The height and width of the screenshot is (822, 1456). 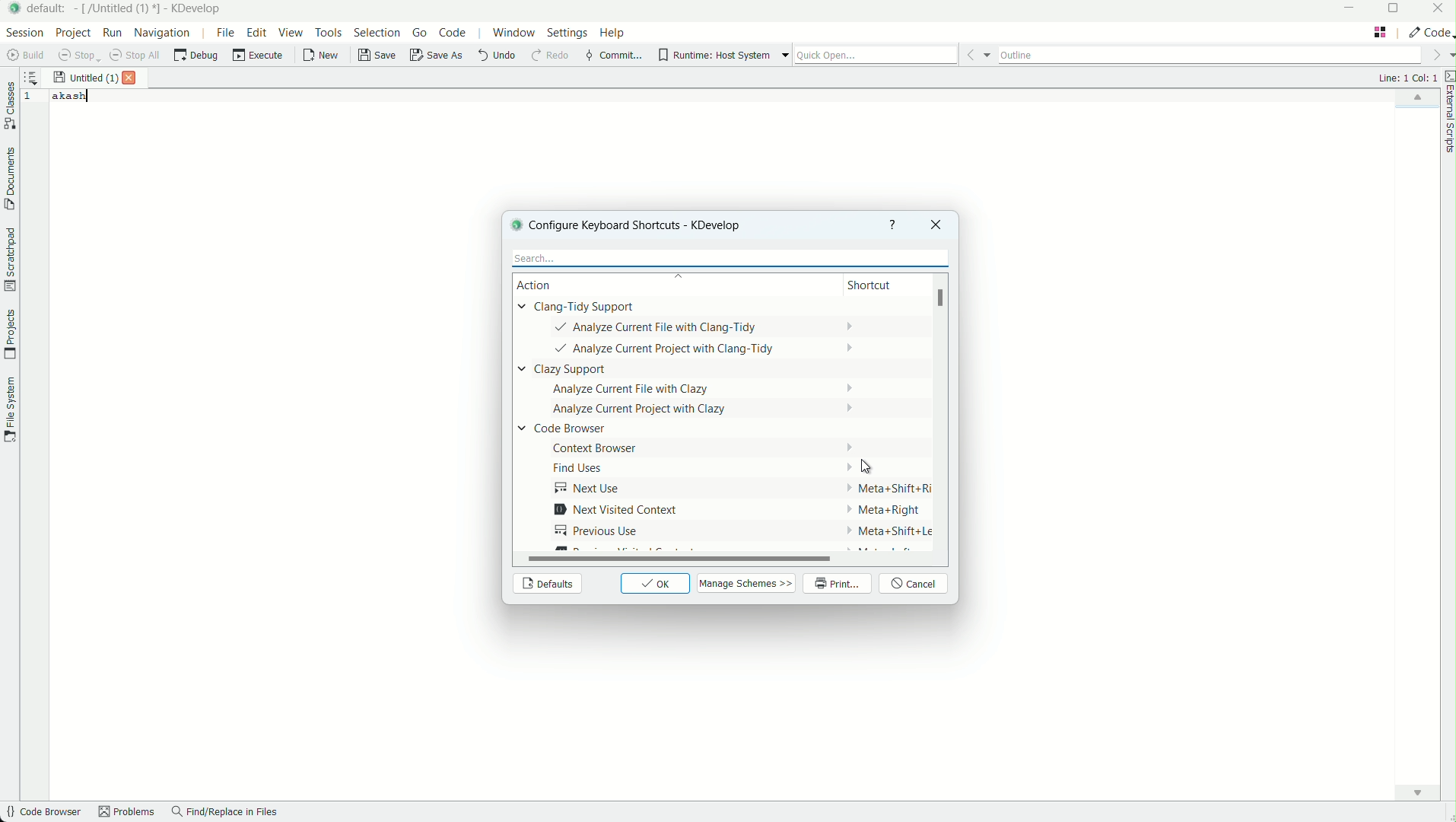 What do you see at coordinates (872, 286) in the screenshot?
I see `shortcut` at bounding box center [872, 286].